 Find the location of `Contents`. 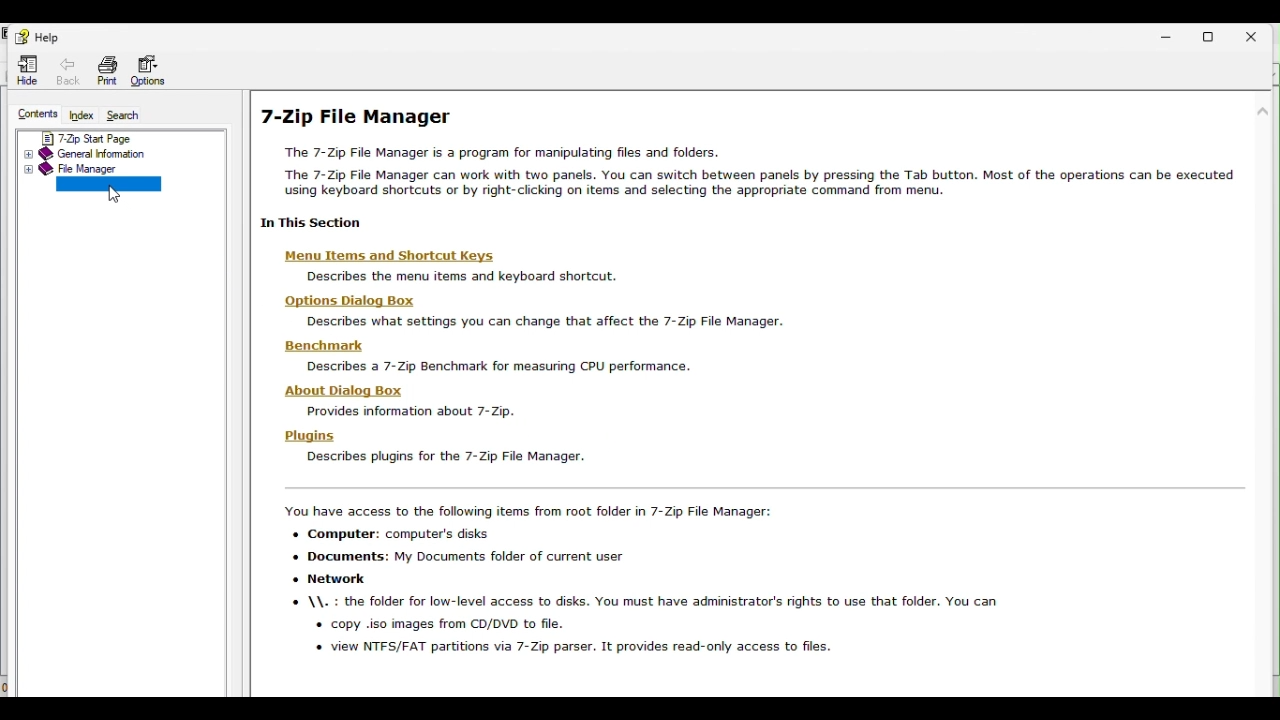

Contents is located at coordinates (31, 113).